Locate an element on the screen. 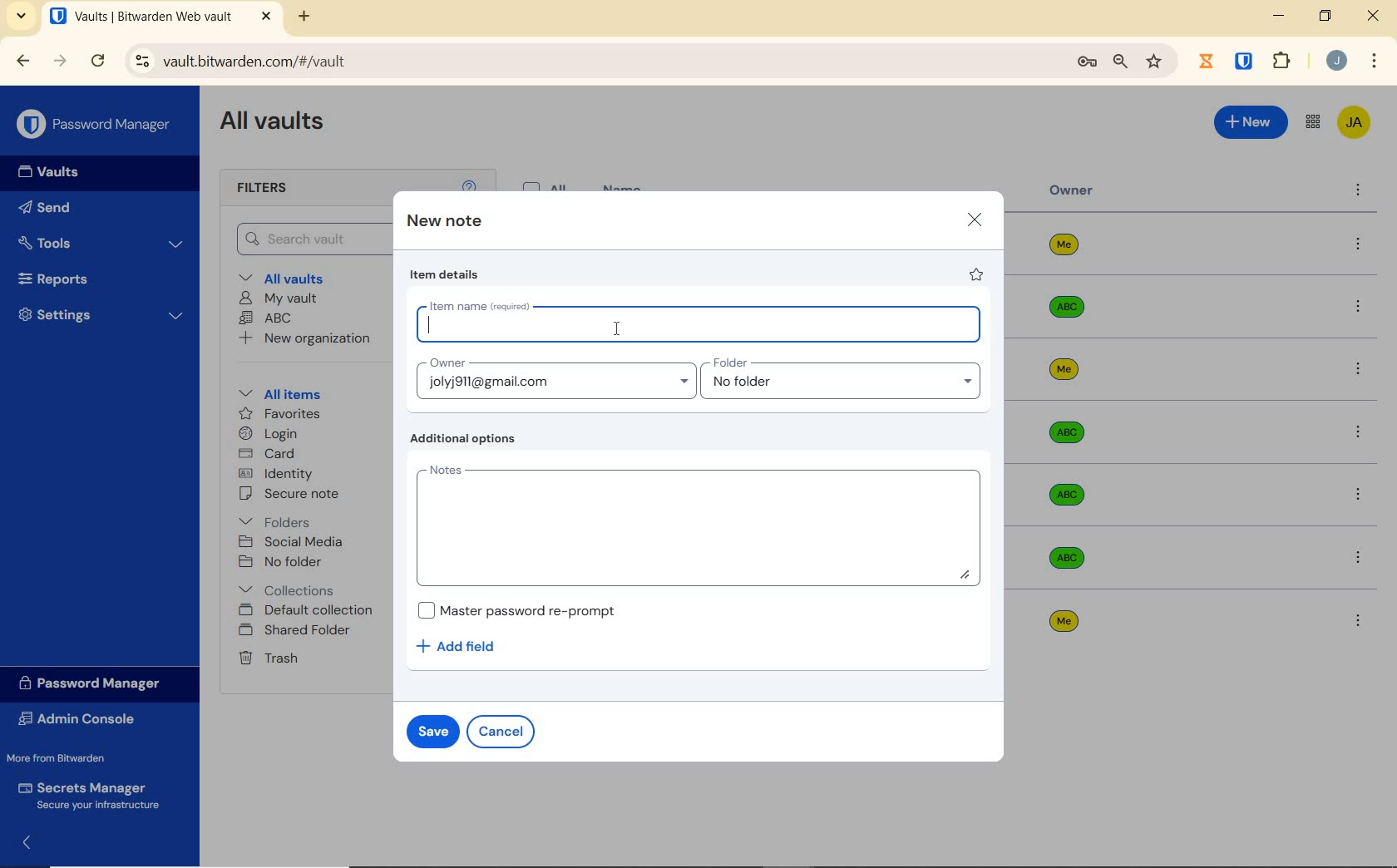 This screenshot has height=868, width=1397. Trash is located at coordinates (271, 659).